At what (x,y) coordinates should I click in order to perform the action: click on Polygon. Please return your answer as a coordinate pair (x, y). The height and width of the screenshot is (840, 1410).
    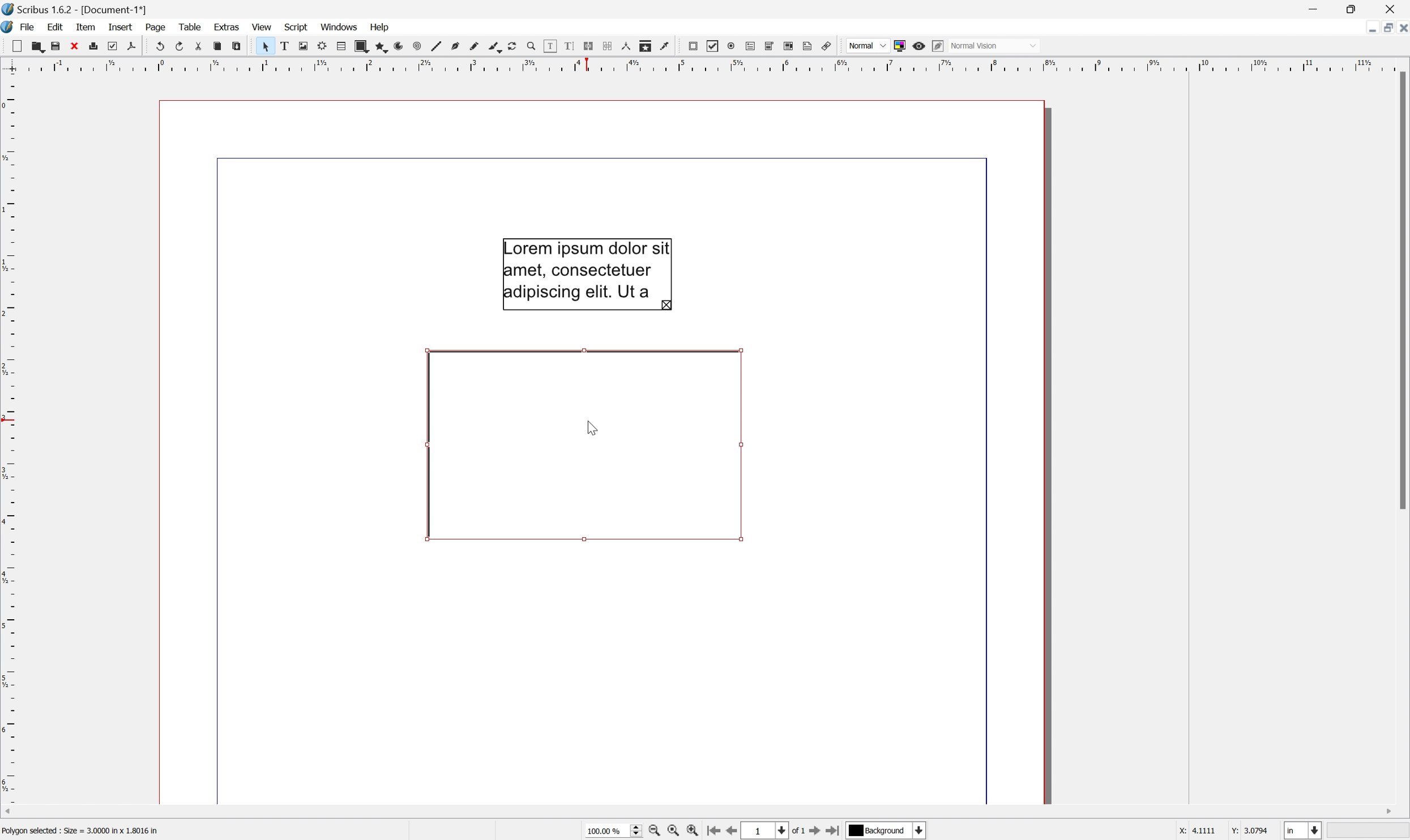
    Looking at the image, I should click on (380, 44).